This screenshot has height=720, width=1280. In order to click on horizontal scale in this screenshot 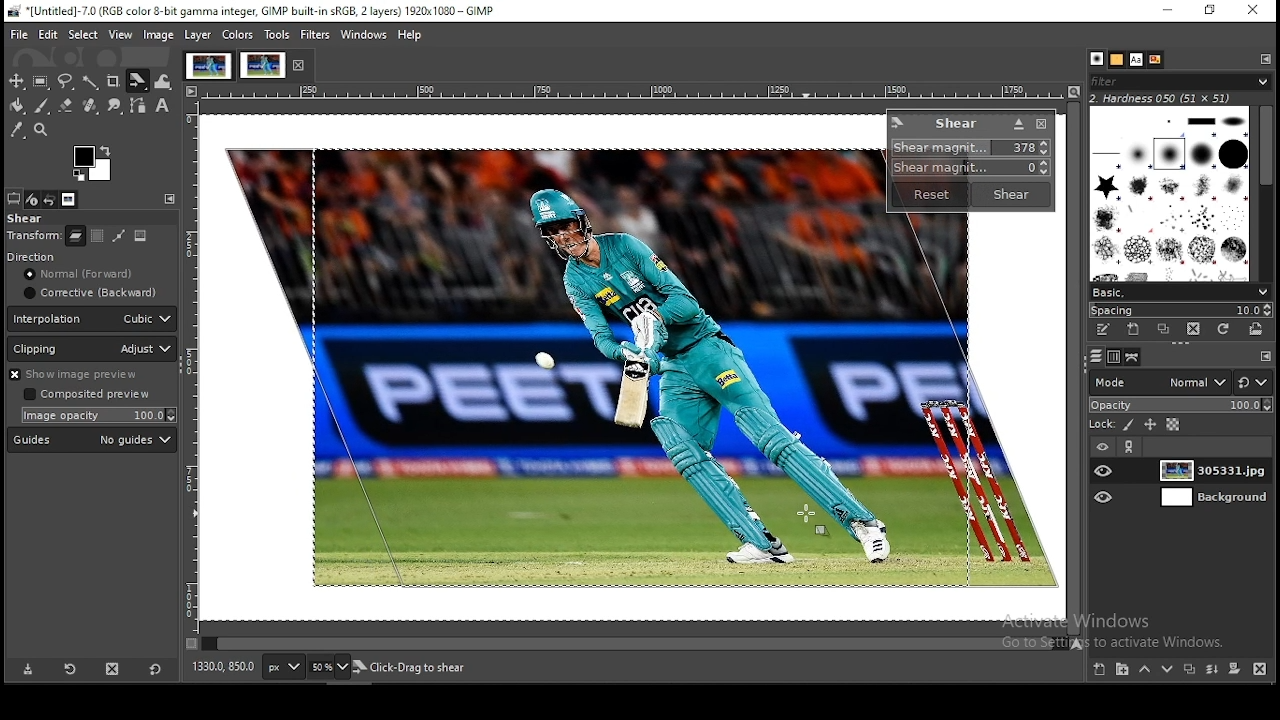, I will do `click(632, 93)`.